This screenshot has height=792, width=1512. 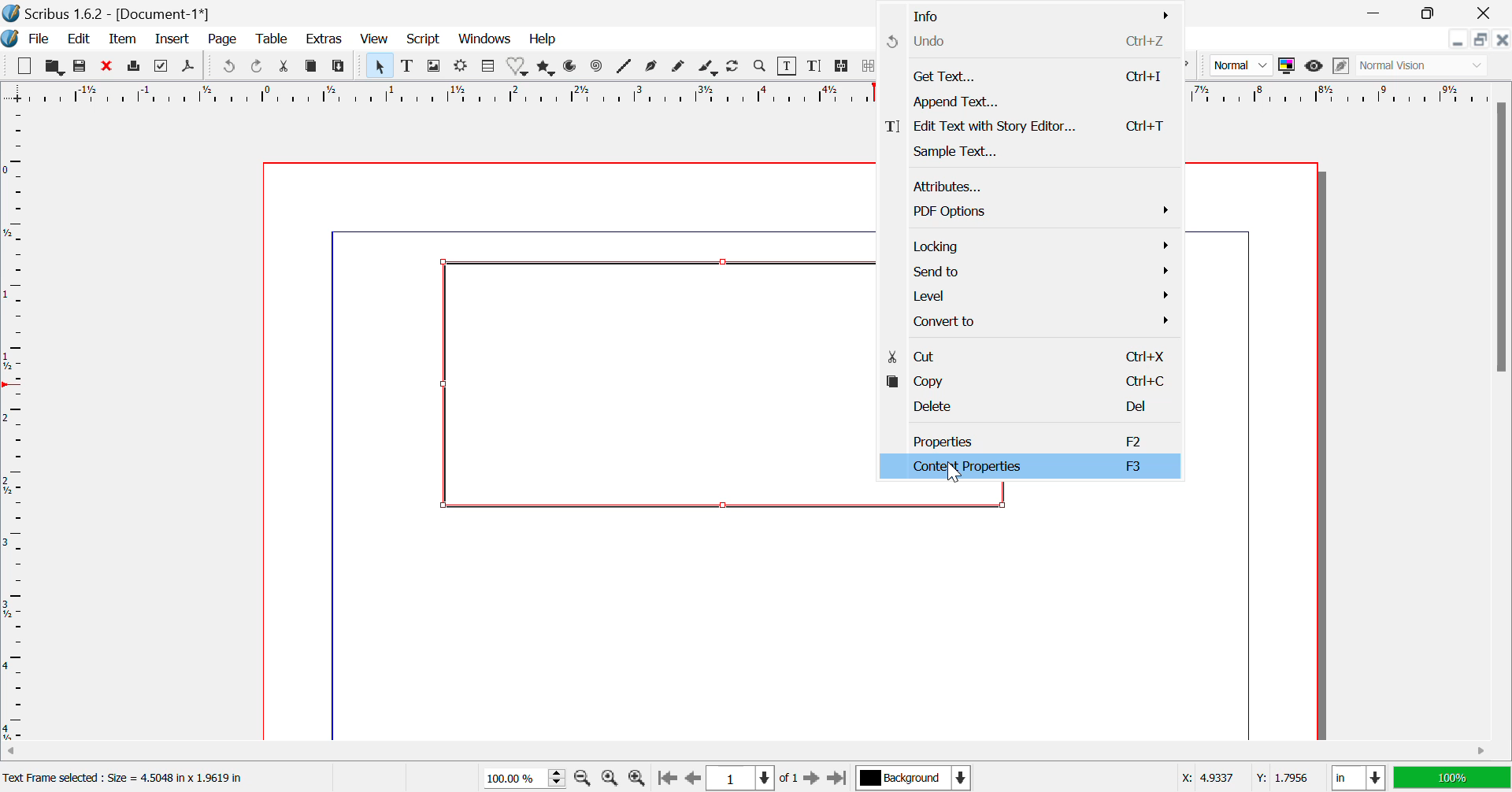 What do you see at coordinates (284, 66) in the screenshot?
I see `Cut` at bounding box center [284, 66].